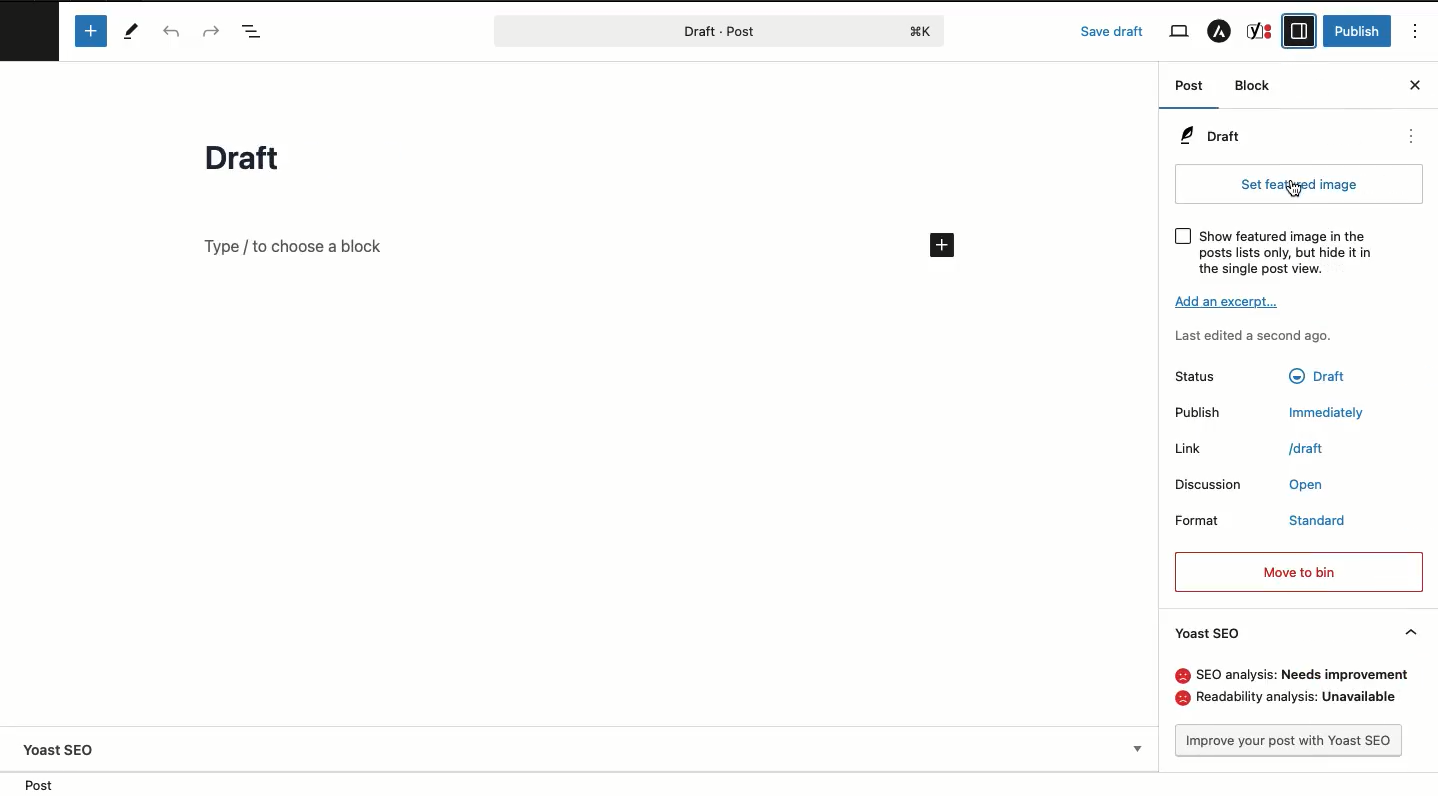 The height and width of the screenshot is (796, 1438). I want to click on Draft, so click(1214, 138).